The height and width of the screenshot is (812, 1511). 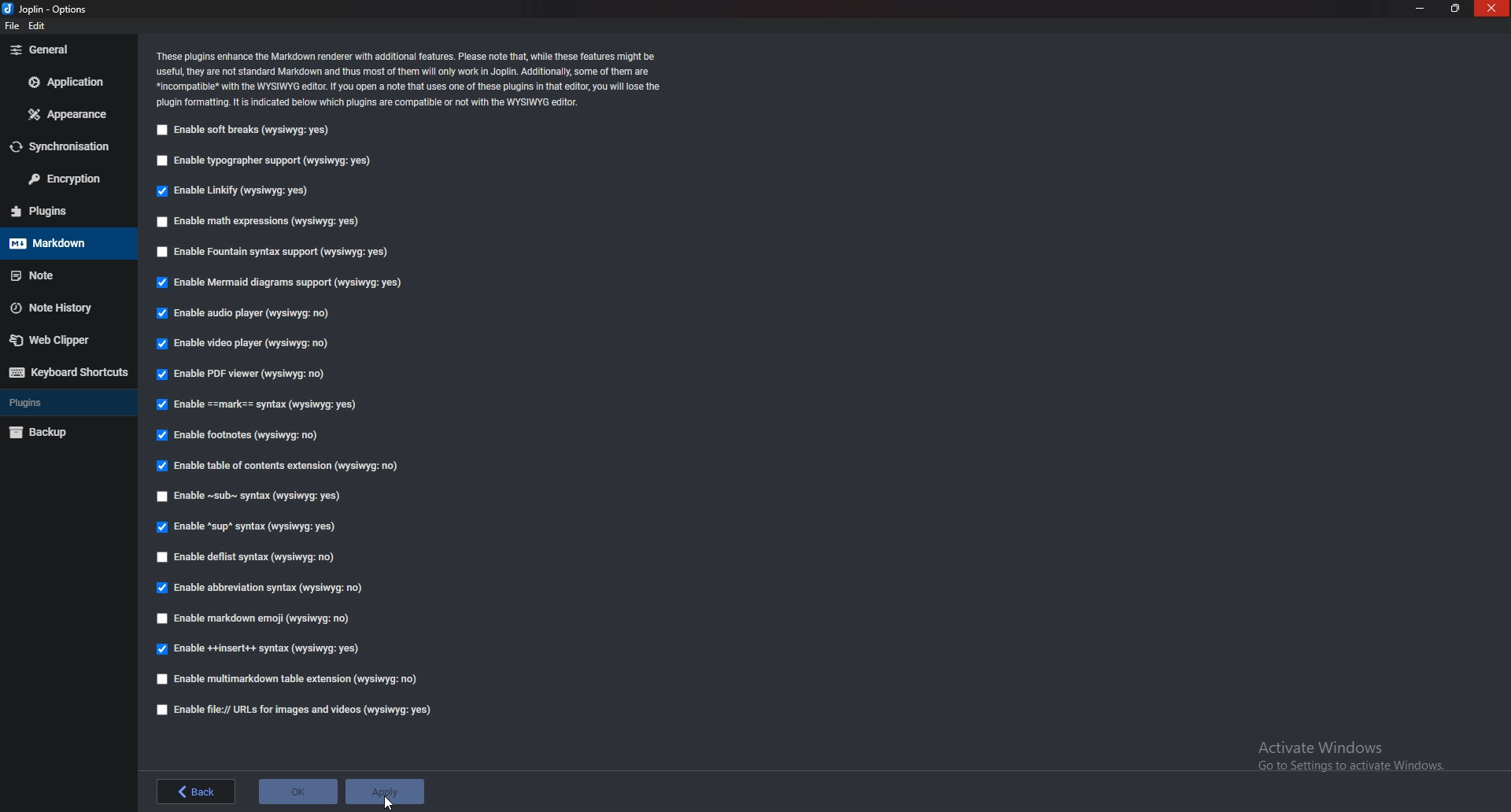 I want to click on Enable video player, so click(x=245, y=344).